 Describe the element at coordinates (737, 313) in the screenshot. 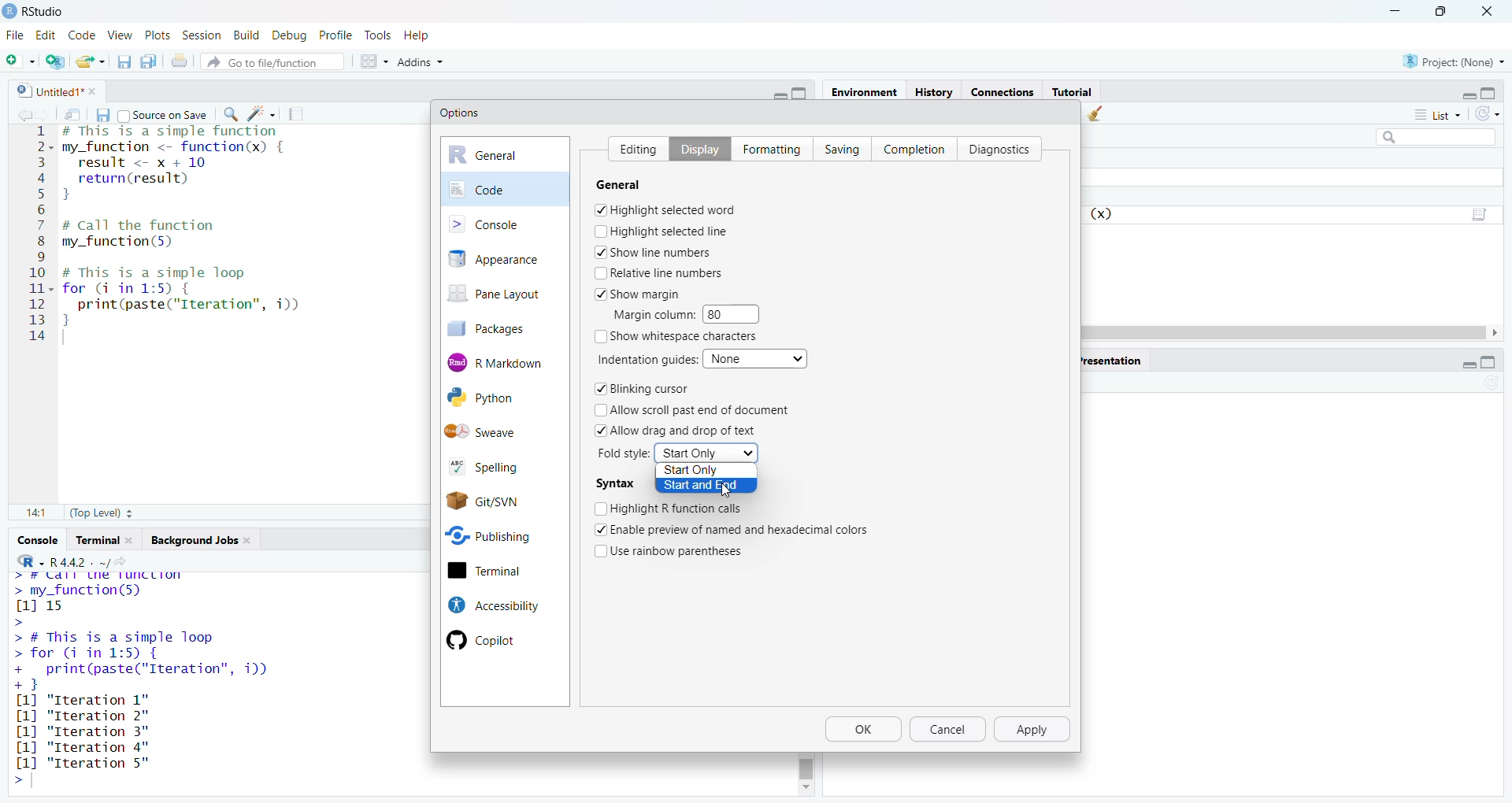

I see `margin input value` at that location.